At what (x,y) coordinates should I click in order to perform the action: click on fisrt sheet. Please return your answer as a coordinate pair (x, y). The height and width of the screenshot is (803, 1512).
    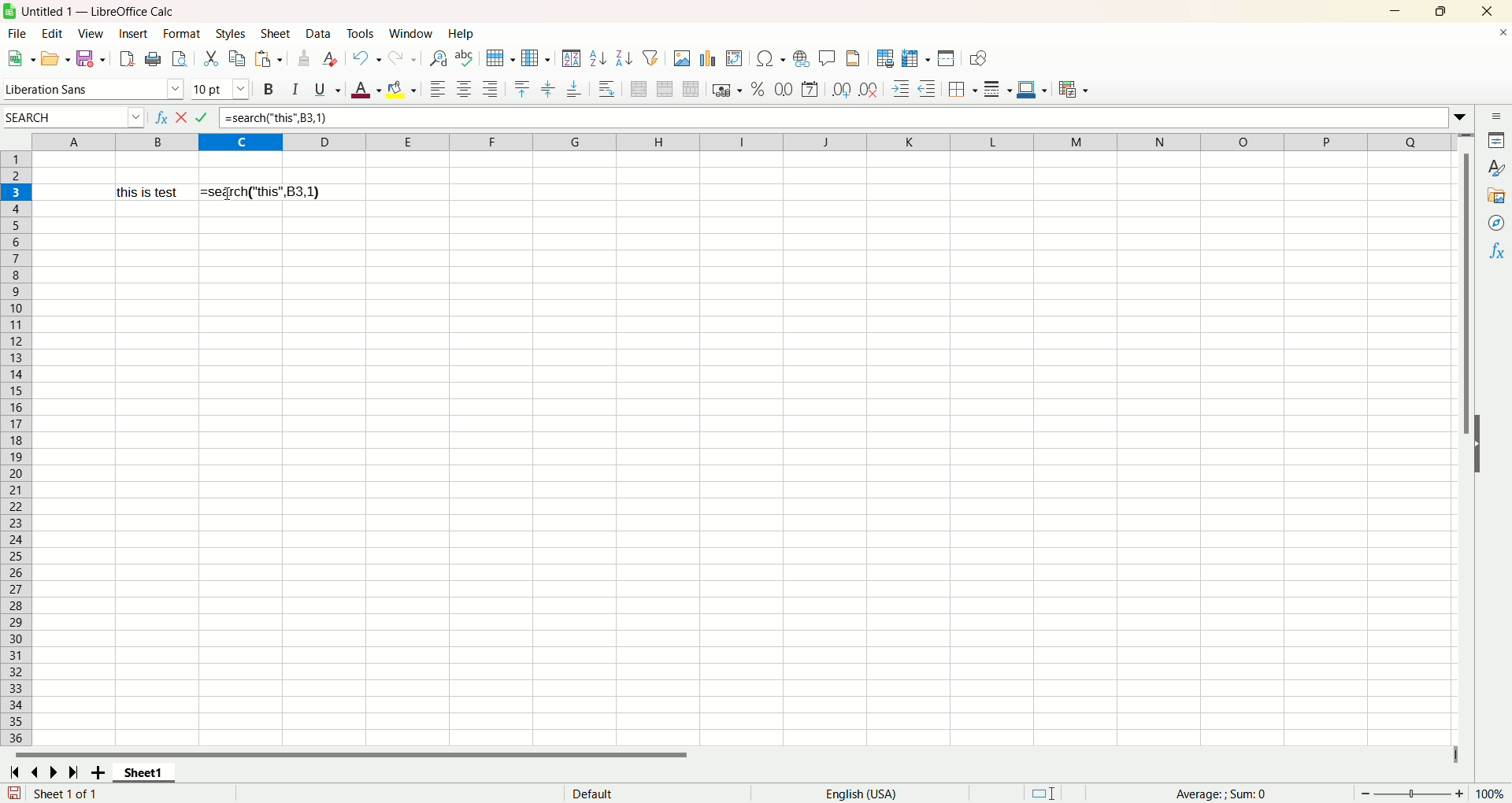
    Looking at the image, I should click on (13, 772).